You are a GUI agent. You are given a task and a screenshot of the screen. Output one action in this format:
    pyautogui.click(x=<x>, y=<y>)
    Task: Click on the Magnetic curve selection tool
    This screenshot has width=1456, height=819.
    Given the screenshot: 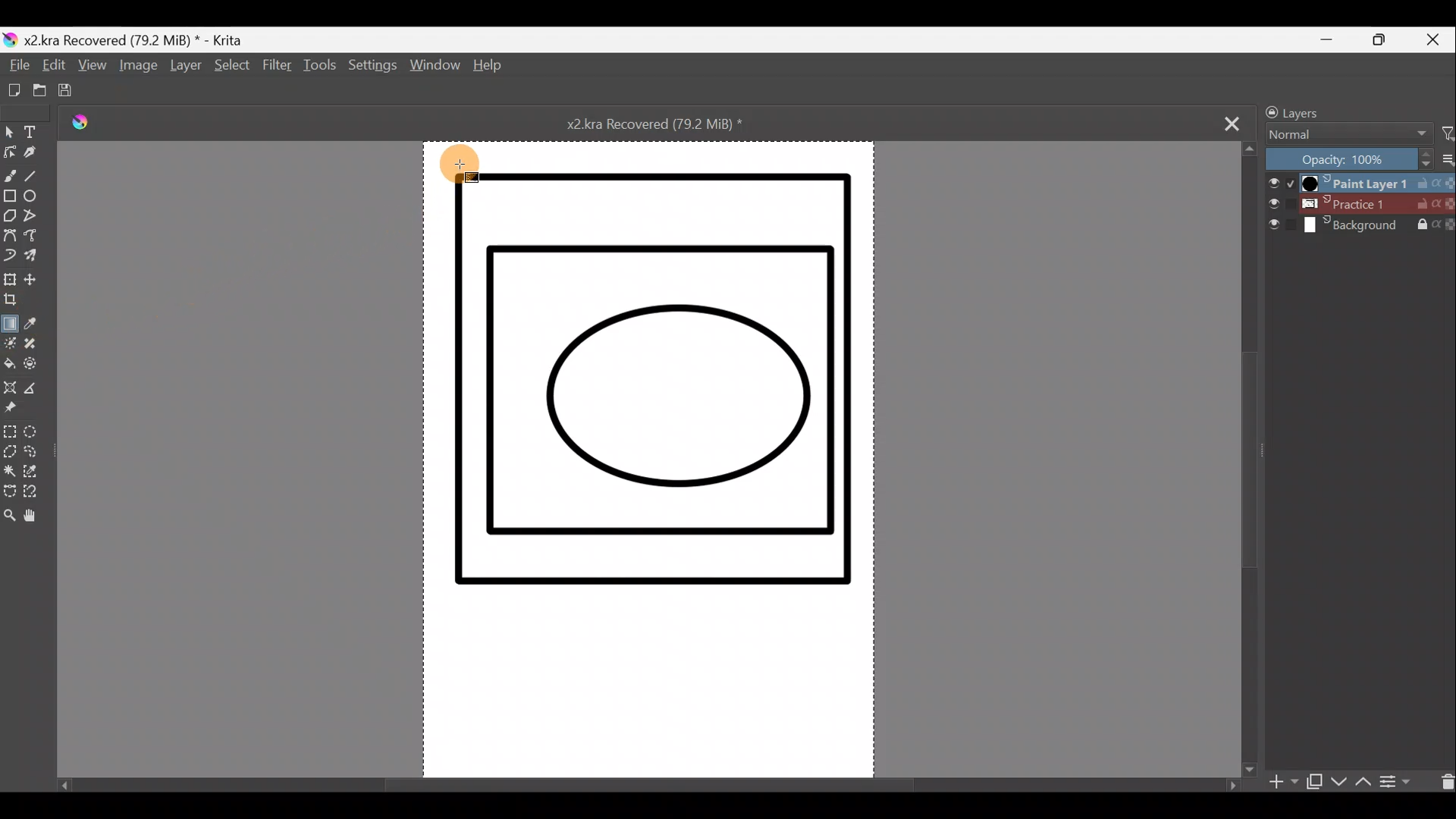 What is the action you would take?
    pyautogui.click(x=33, y=498)
    